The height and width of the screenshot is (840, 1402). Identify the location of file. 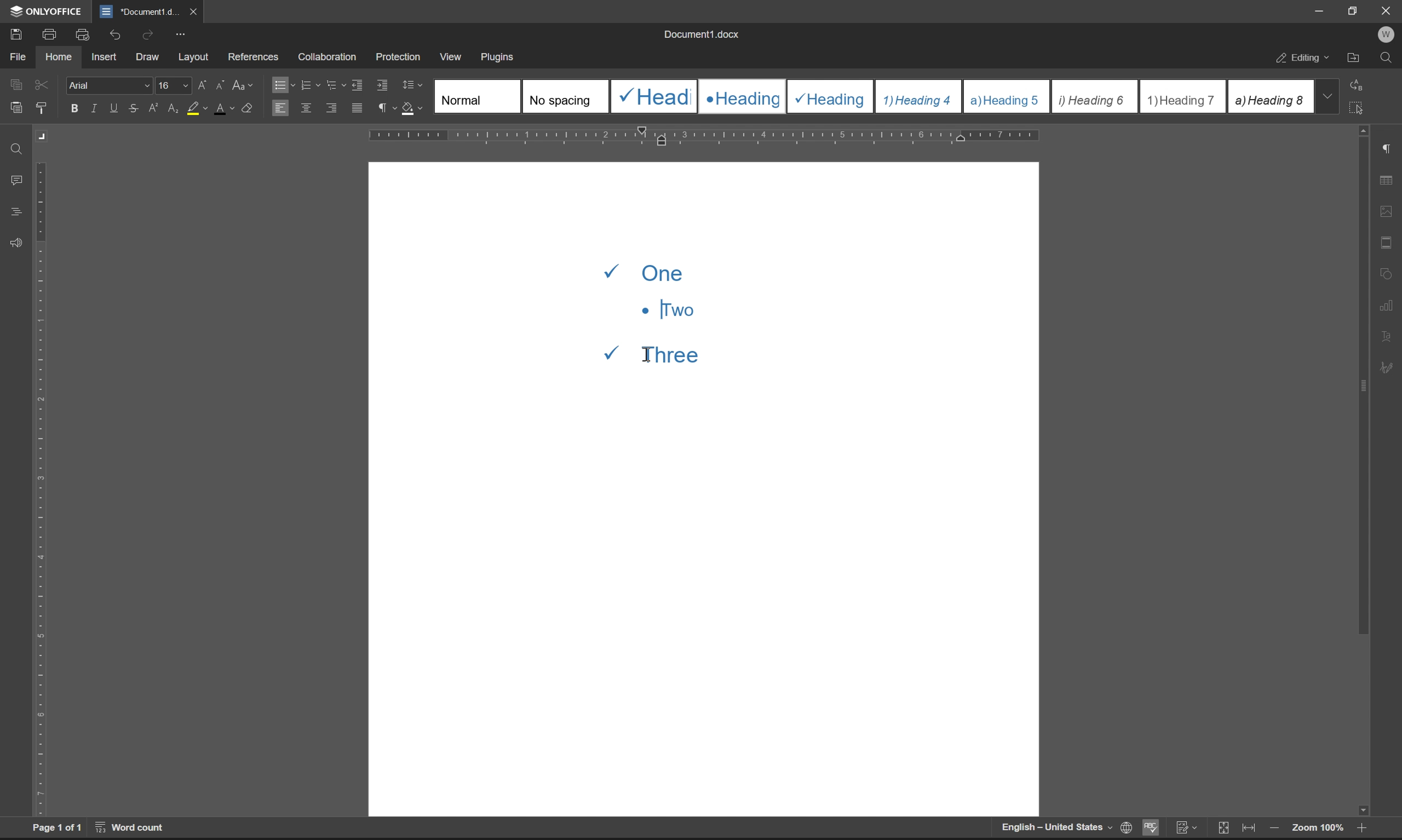
(17, 57).